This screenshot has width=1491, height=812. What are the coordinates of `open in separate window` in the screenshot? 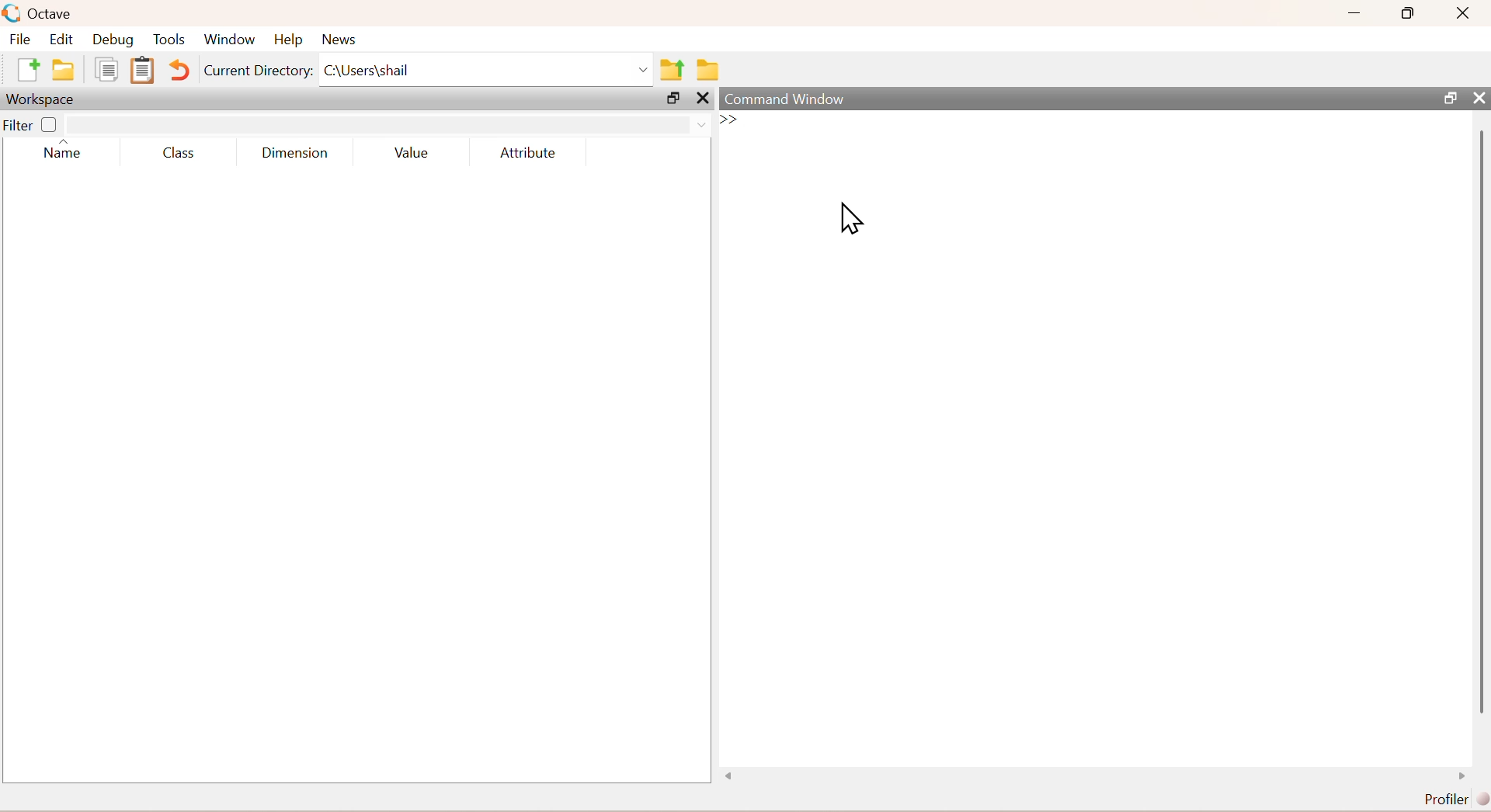 It's located at (673, 98).